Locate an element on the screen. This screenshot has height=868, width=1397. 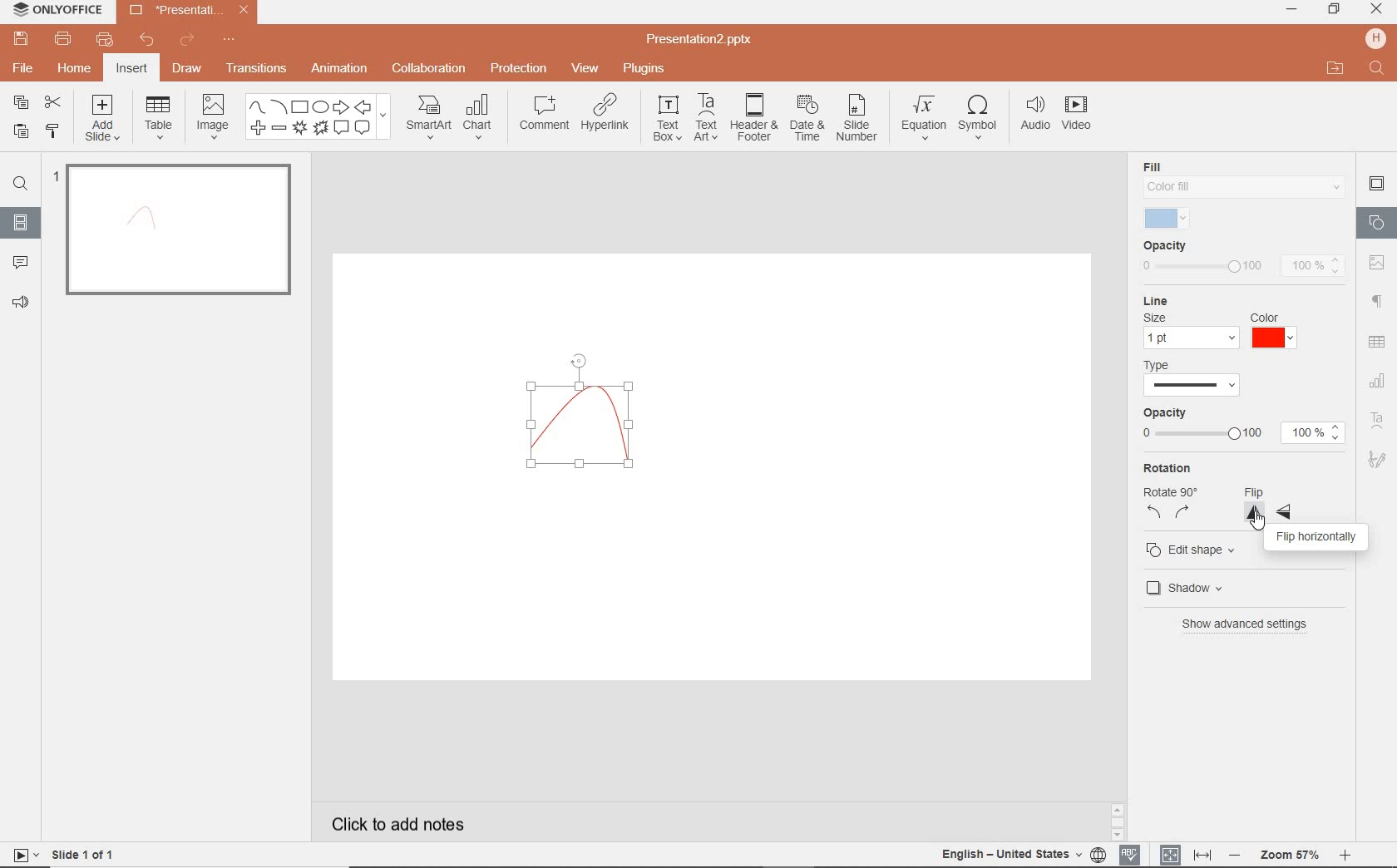
ZOOM is located at coordinates (1298, 855).